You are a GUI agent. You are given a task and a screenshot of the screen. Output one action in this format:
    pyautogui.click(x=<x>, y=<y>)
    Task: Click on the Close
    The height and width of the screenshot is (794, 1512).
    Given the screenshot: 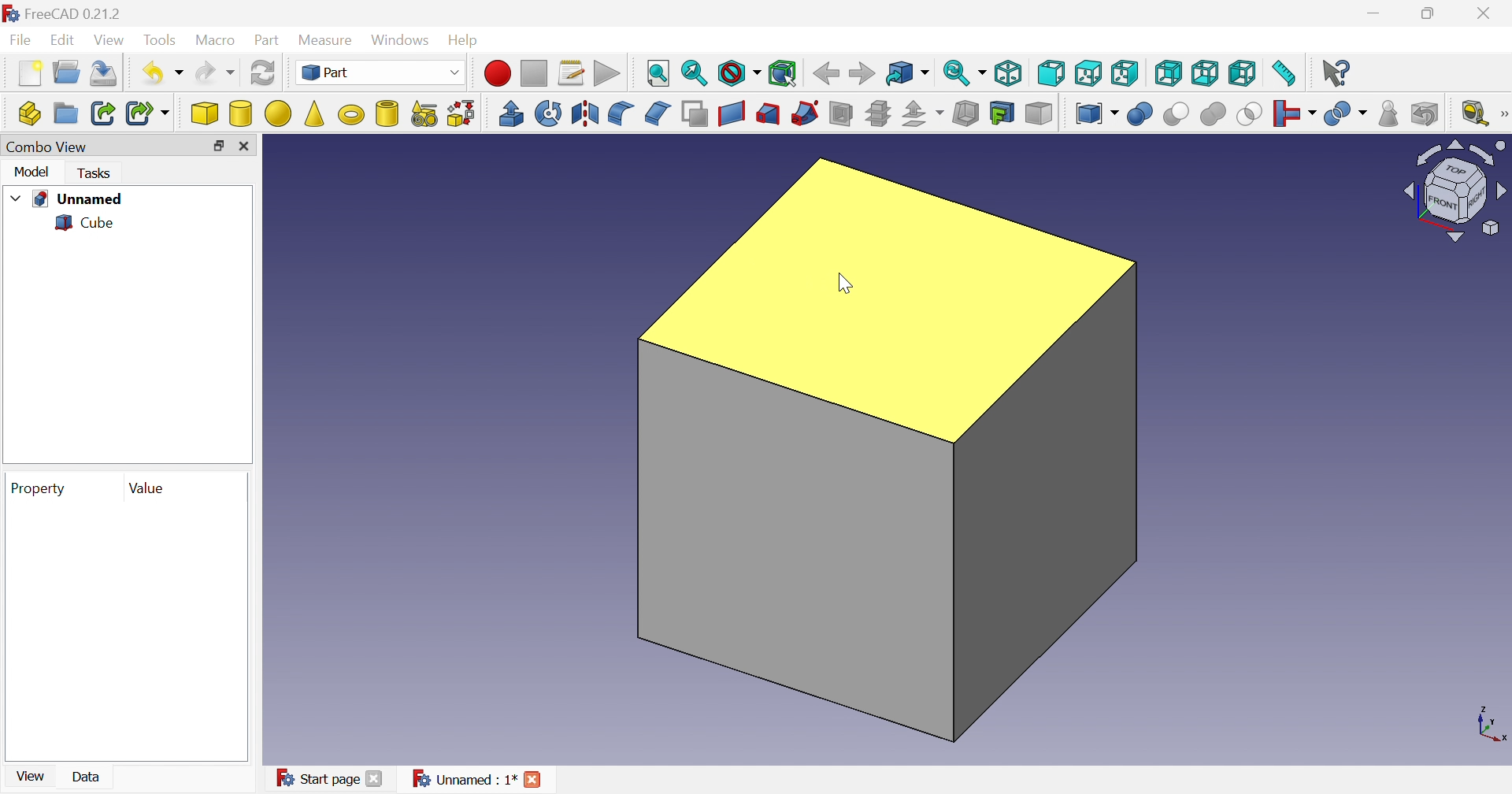 What is the action you would take?
    pyautogui.click(x=1486, y=13)
    